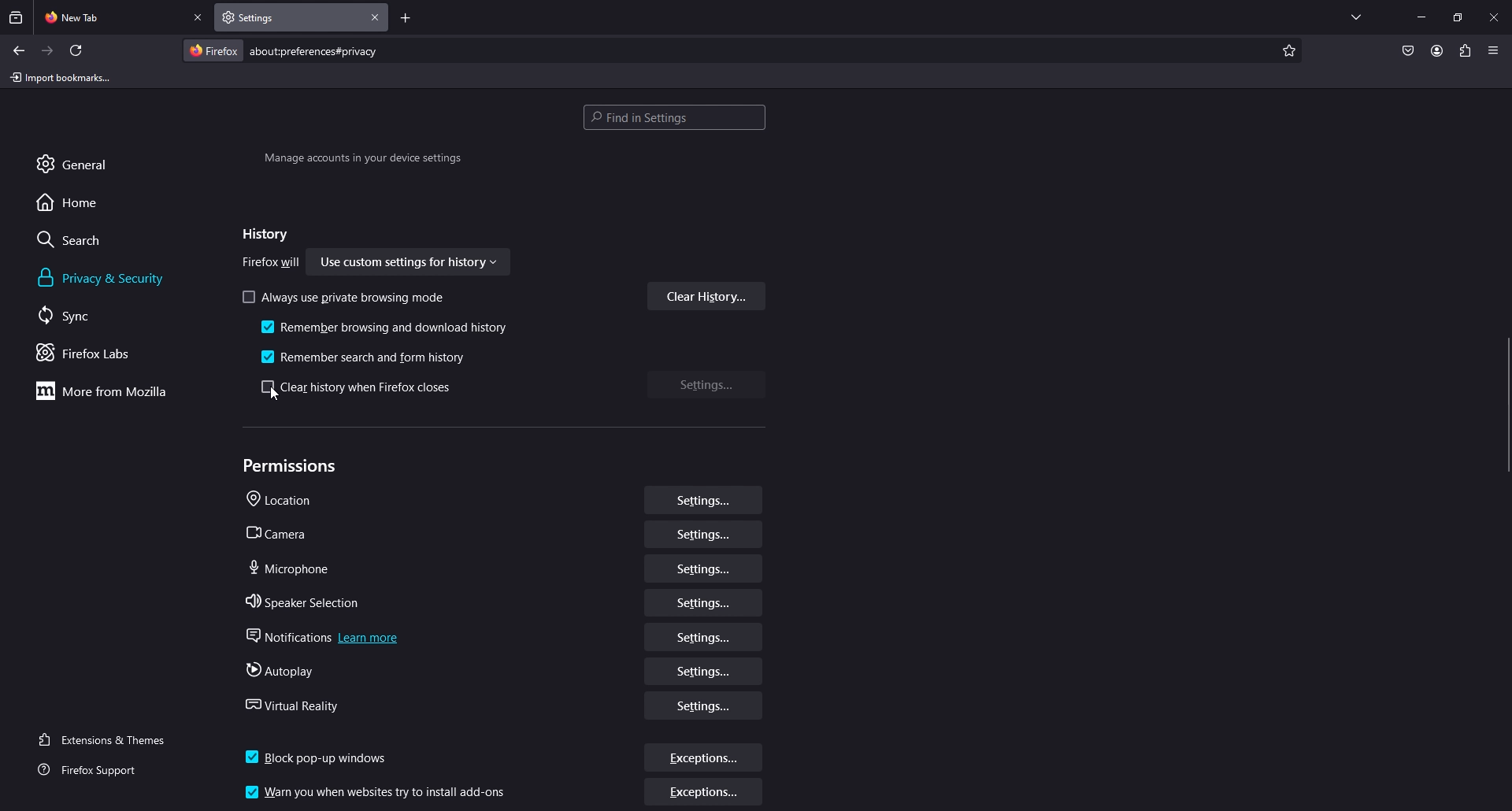 This screenshot has height=811, width=1512. Describe the element at coordinates (406, 20) in the screenshot. I see `add tab` at that location.